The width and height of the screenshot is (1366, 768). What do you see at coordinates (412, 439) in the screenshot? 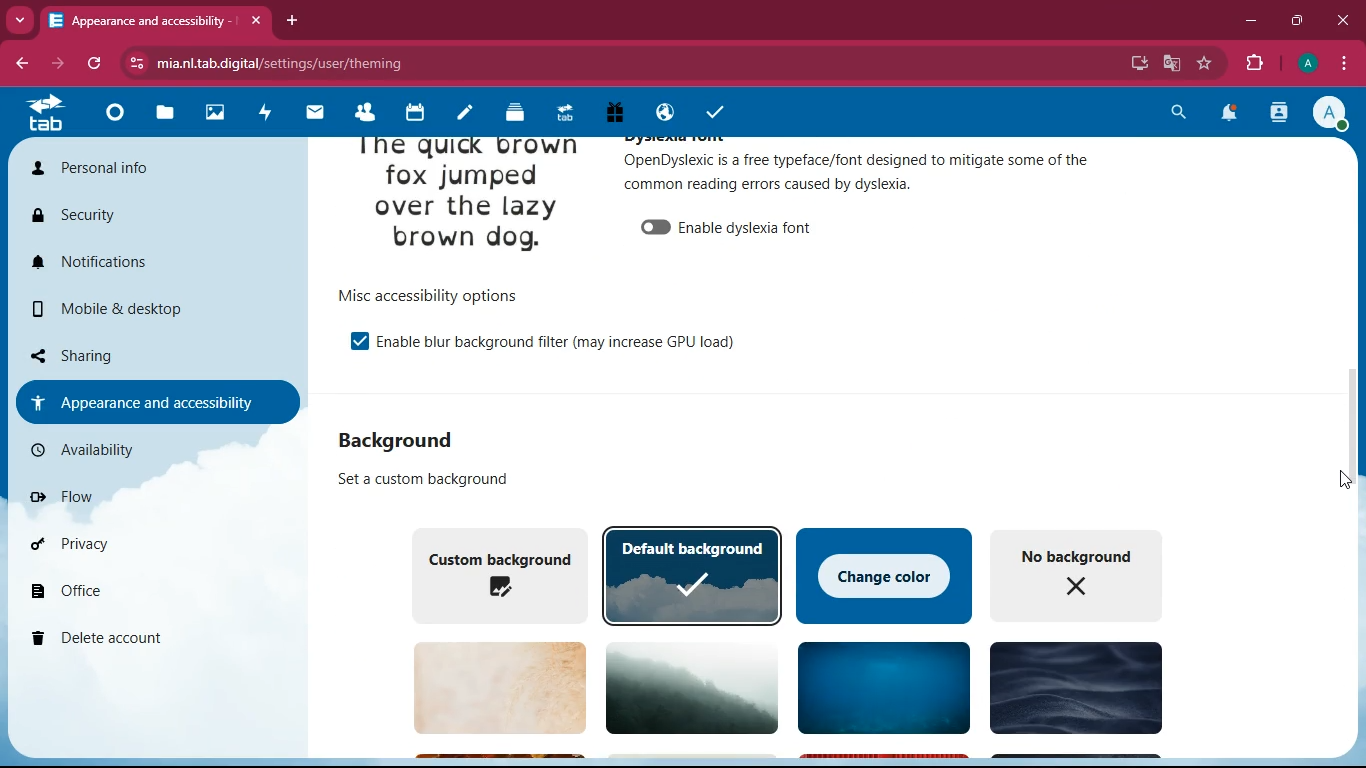
I see `background` at bounding box center [412, 439].